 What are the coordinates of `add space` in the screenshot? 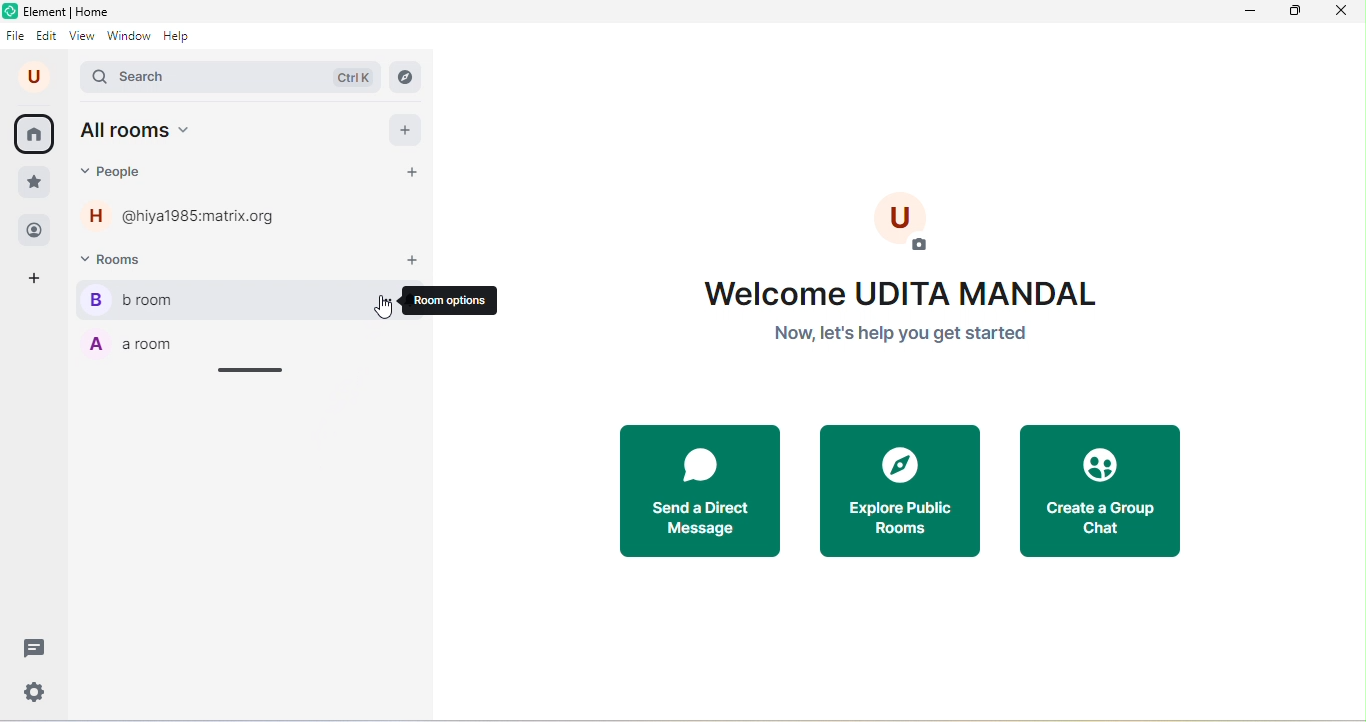 It's located at (34, 277).